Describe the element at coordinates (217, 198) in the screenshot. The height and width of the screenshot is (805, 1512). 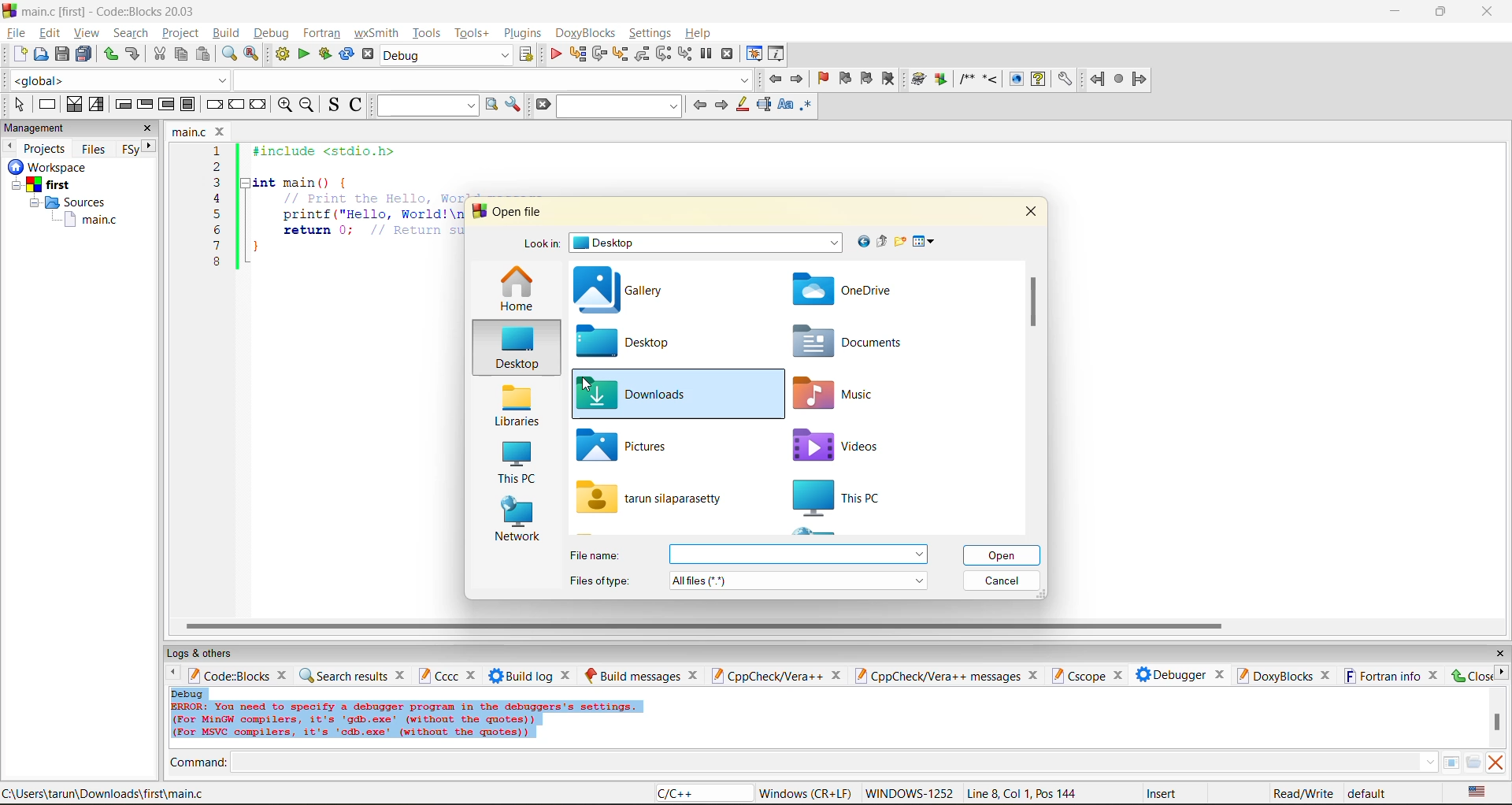
I see `4` at that location.